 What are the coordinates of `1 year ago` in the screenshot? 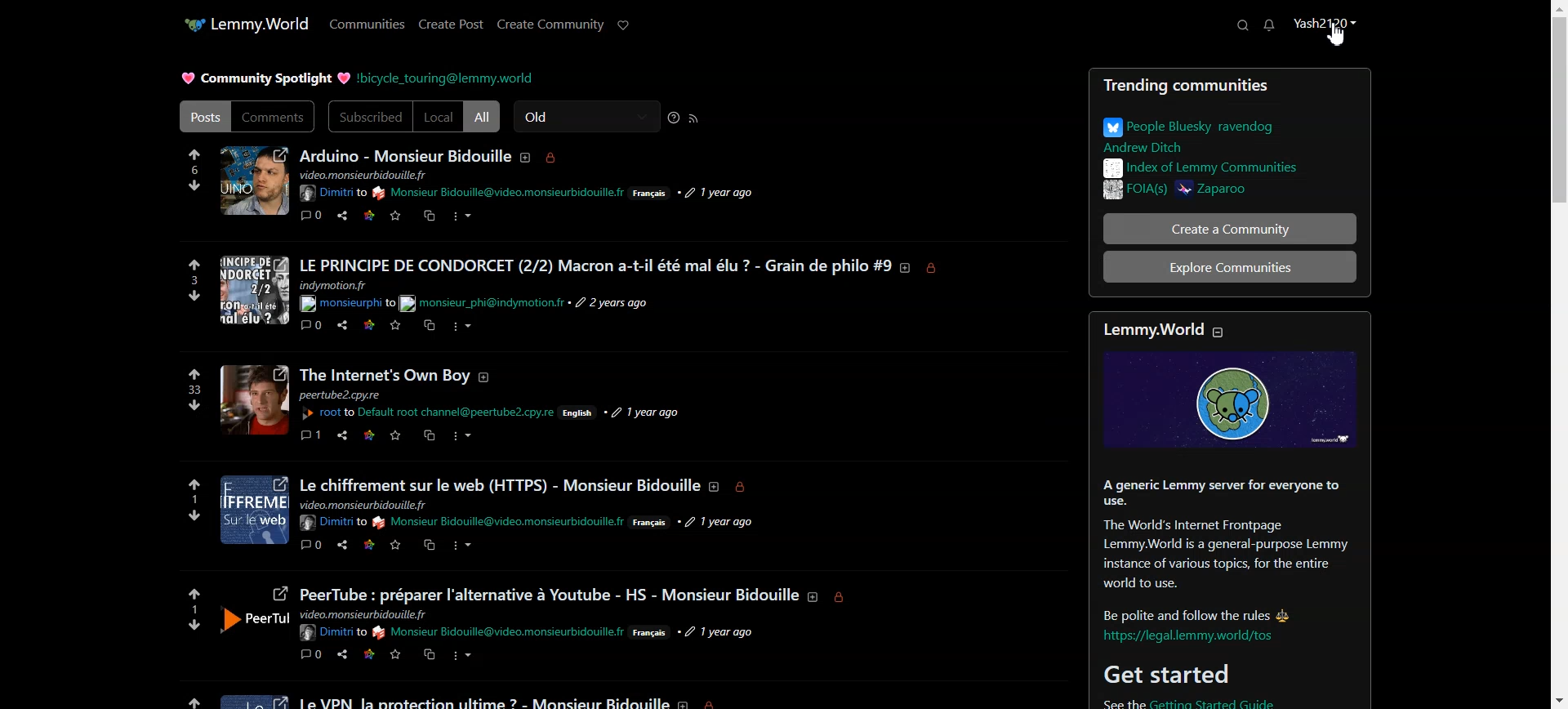 It's located at (646, 406).